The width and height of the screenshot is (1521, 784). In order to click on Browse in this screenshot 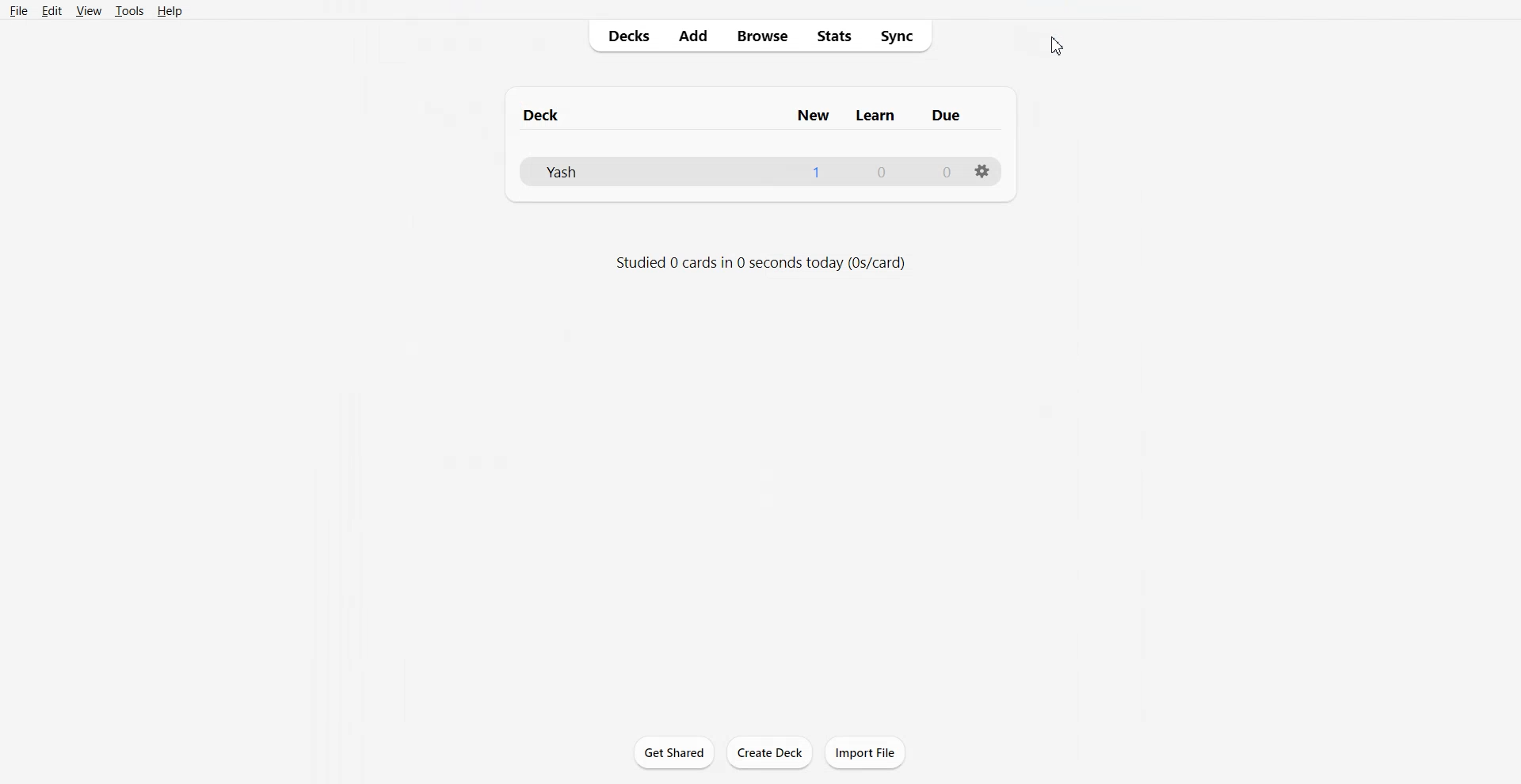, I will do `click(760, 36)`.